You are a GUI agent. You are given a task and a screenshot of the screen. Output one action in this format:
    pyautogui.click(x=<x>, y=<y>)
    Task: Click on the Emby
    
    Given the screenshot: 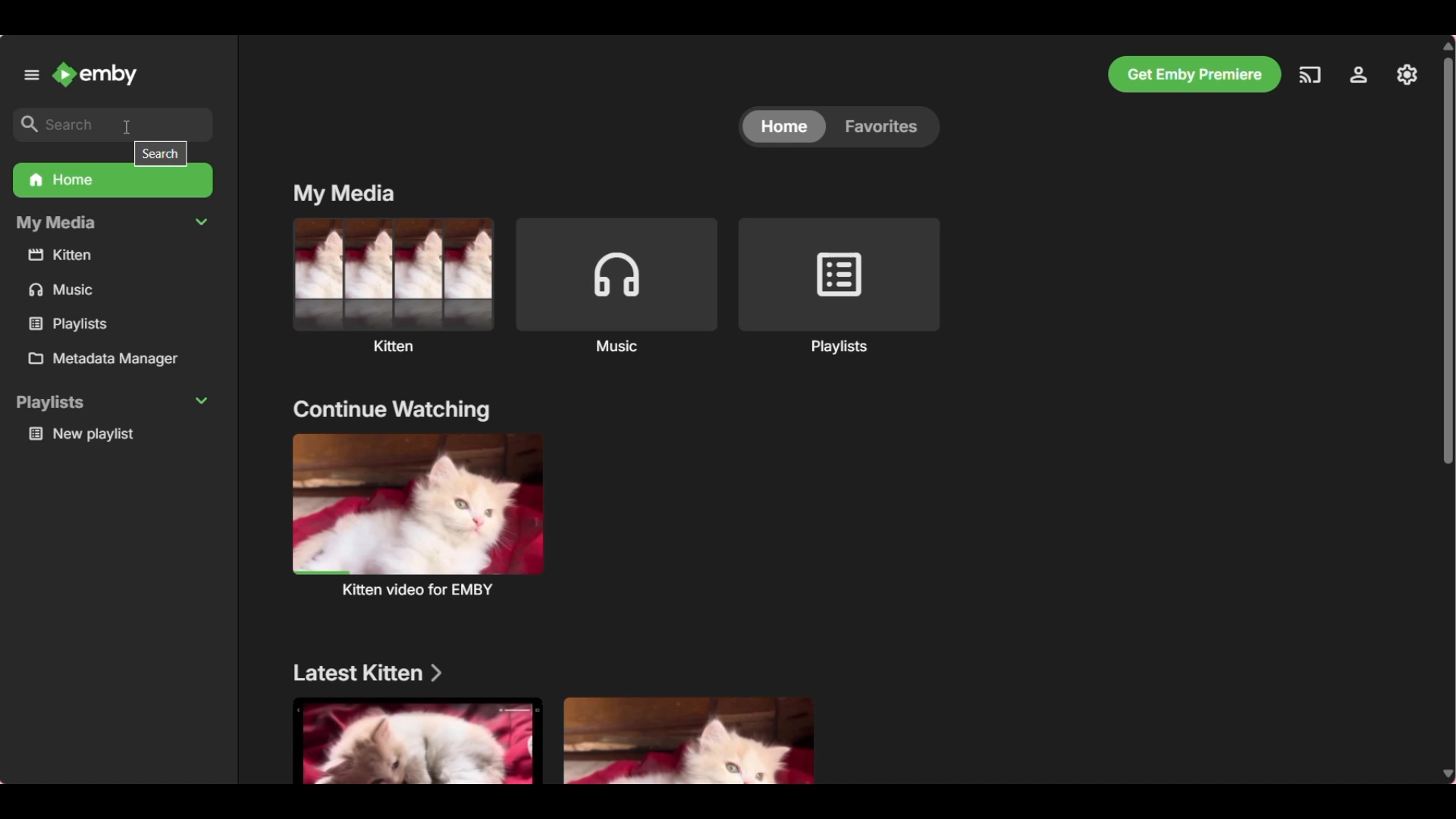 What is the action you would take?
    pyautogui.click(x=96, y=74)
    